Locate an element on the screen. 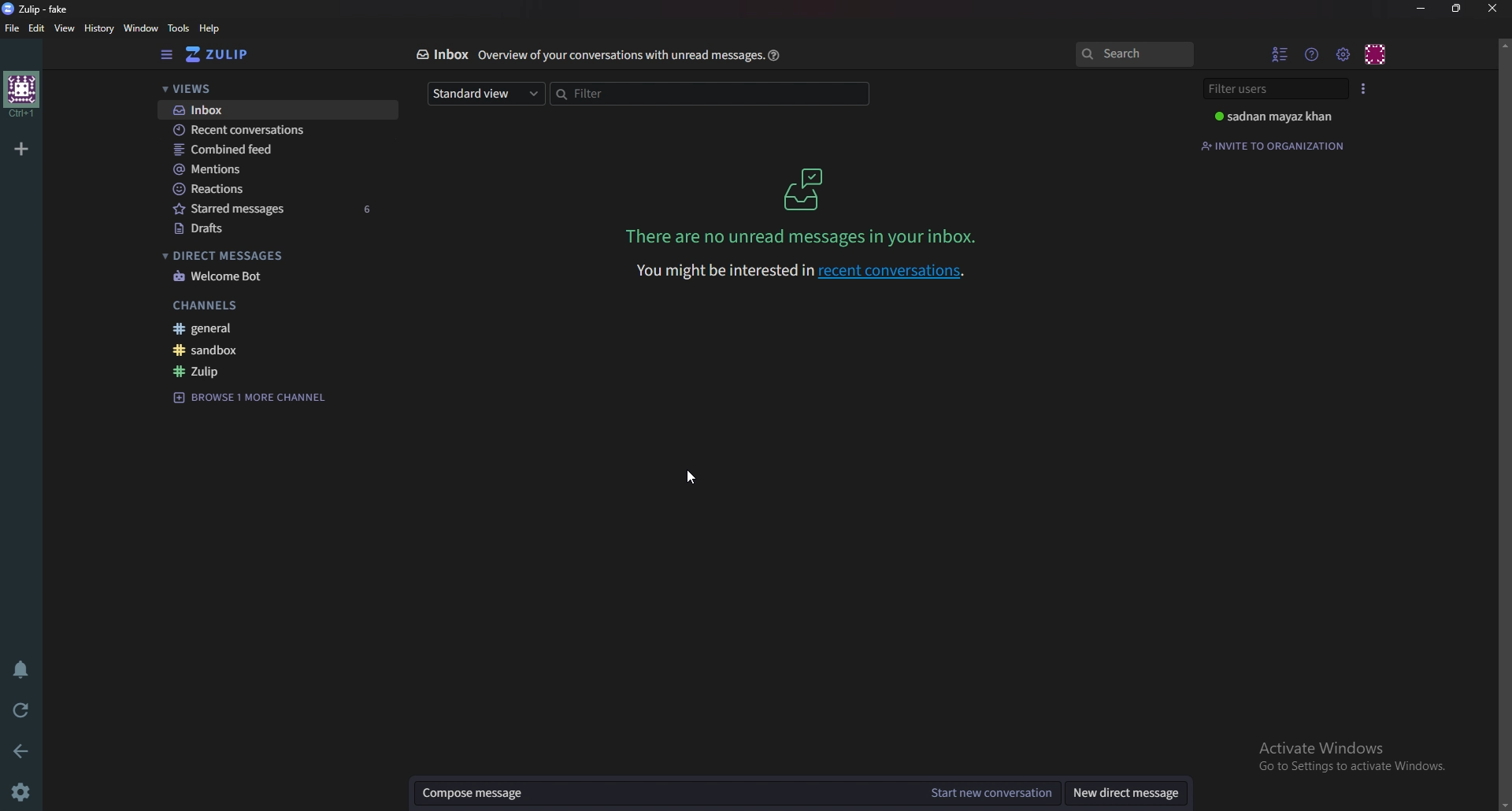  Filter is located at coordinates (711, 94).